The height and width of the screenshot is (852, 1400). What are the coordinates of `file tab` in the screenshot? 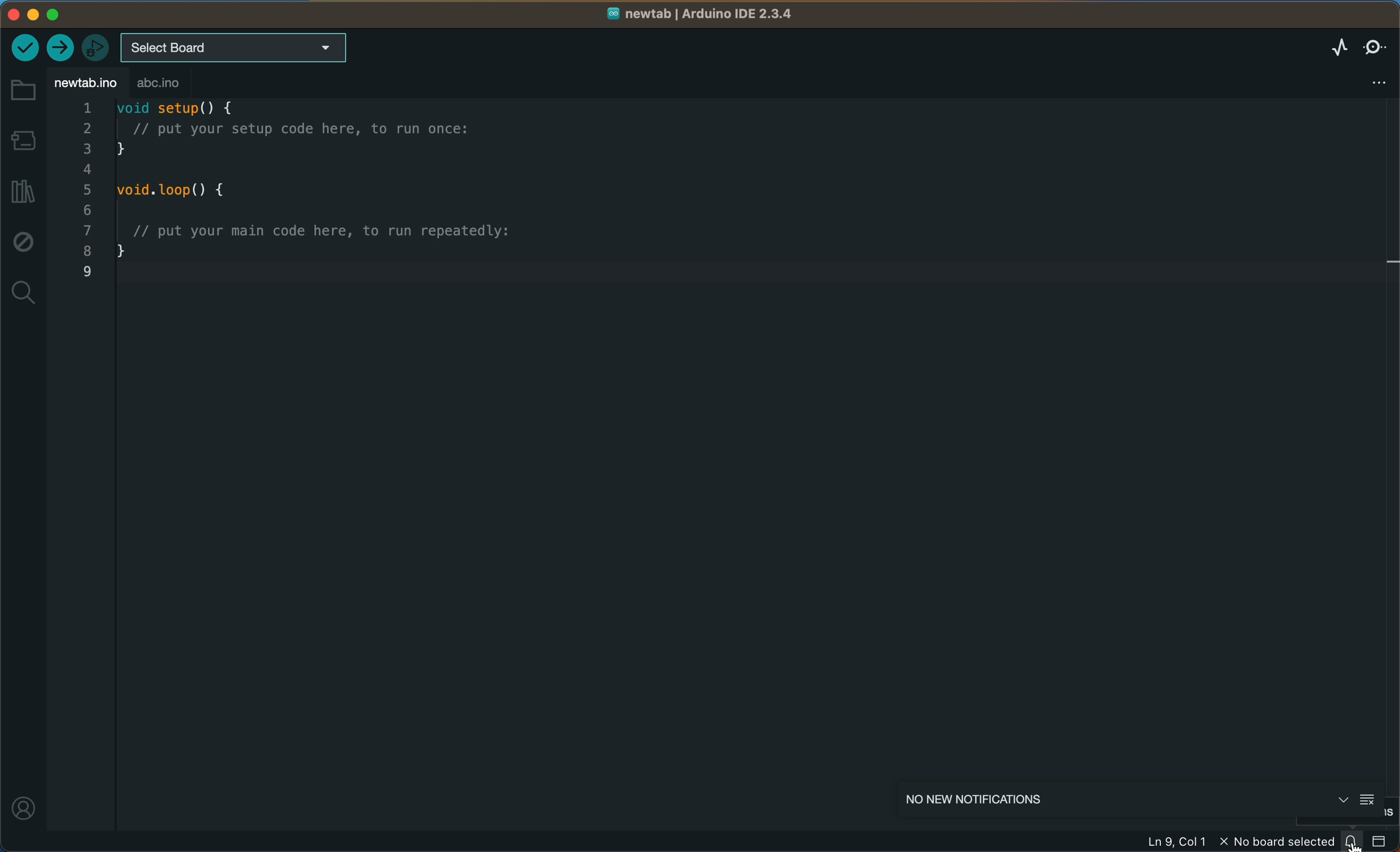 It's located at (85, 82).